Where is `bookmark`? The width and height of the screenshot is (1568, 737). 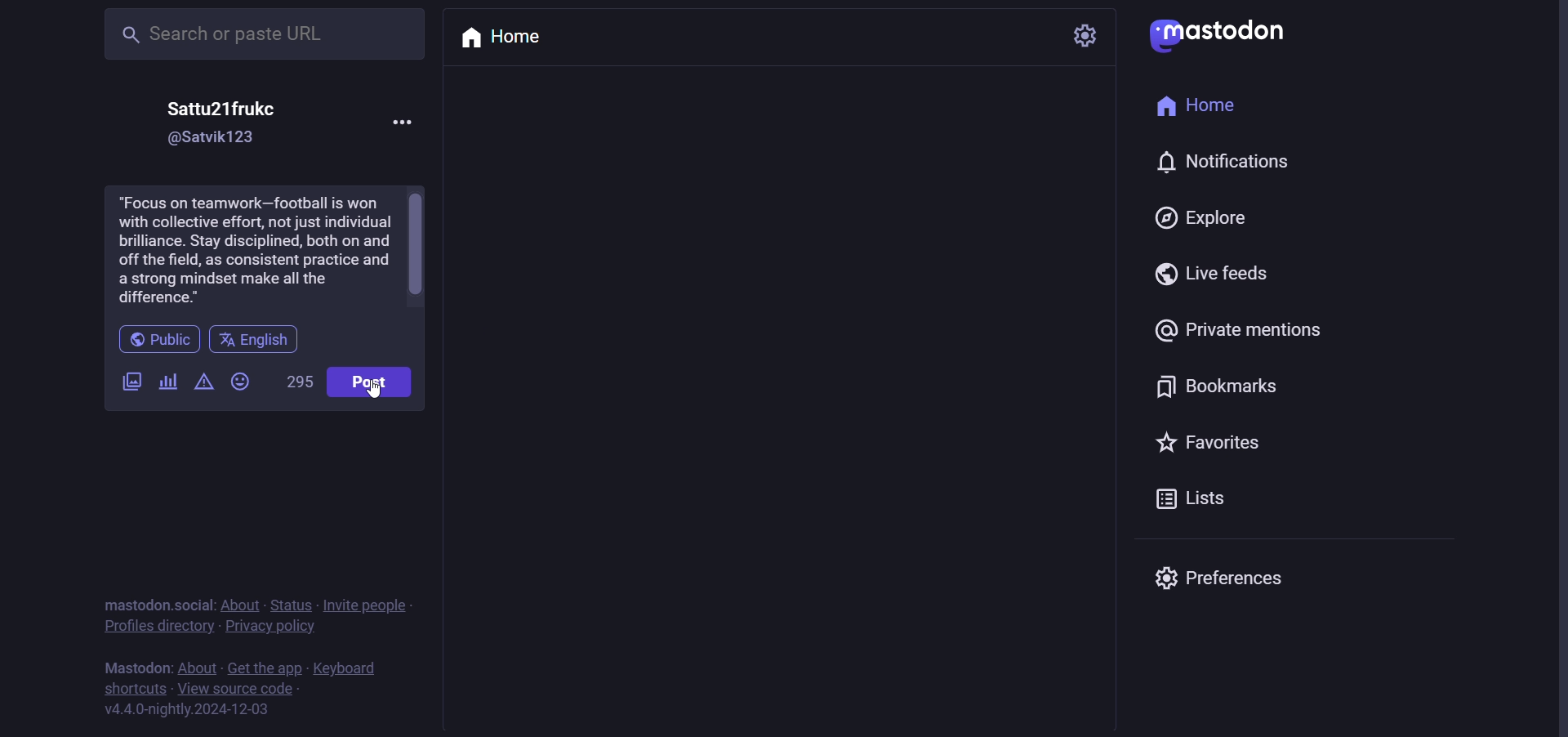 bookmark is located at coordinates (1208, 384).